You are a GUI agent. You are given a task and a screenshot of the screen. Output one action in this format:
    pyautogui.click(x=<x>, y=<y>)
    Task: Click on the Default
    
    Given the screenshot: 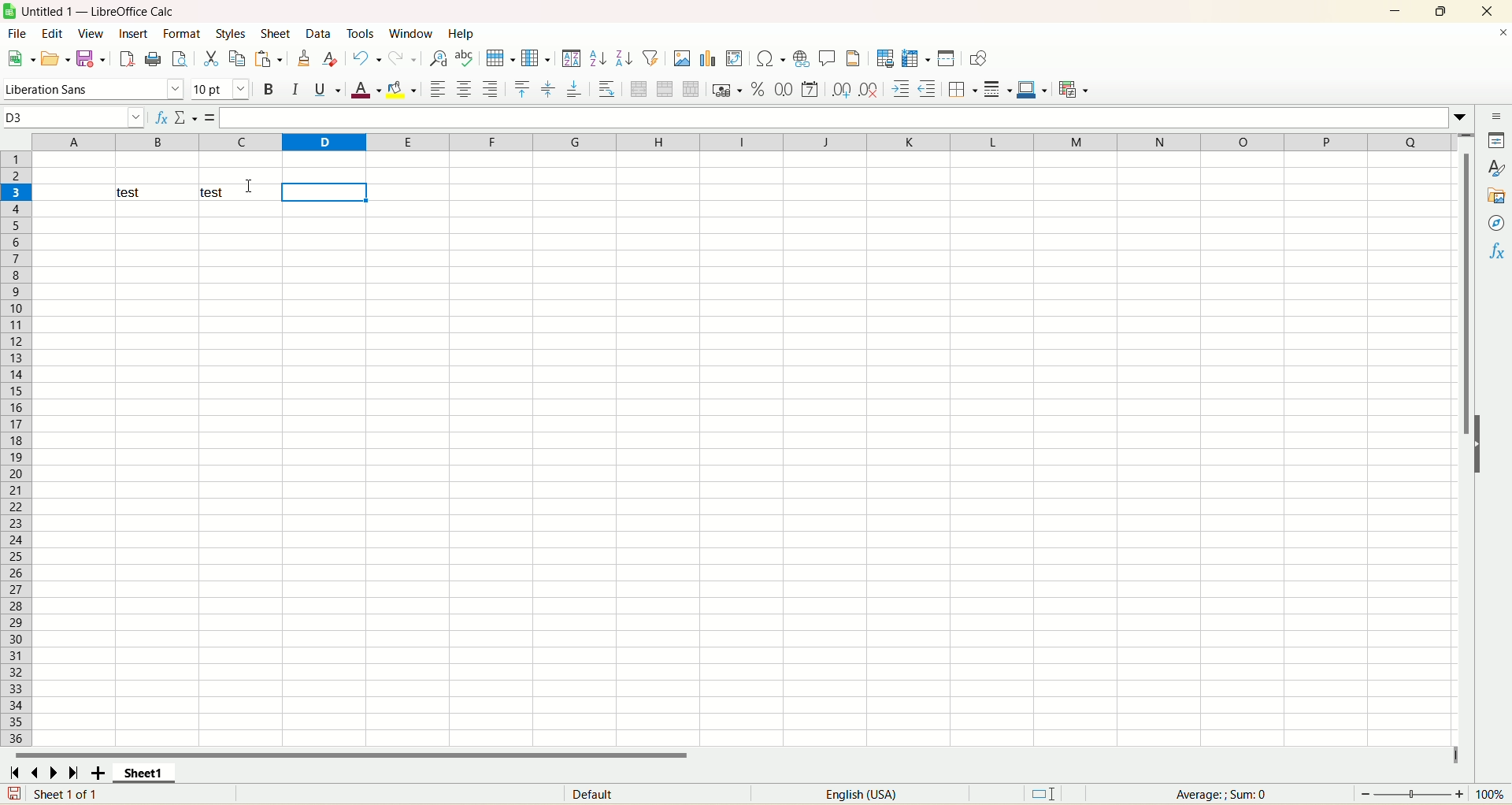 What is the action you would take?
    pyautogui.click(x=658, y=793)
    